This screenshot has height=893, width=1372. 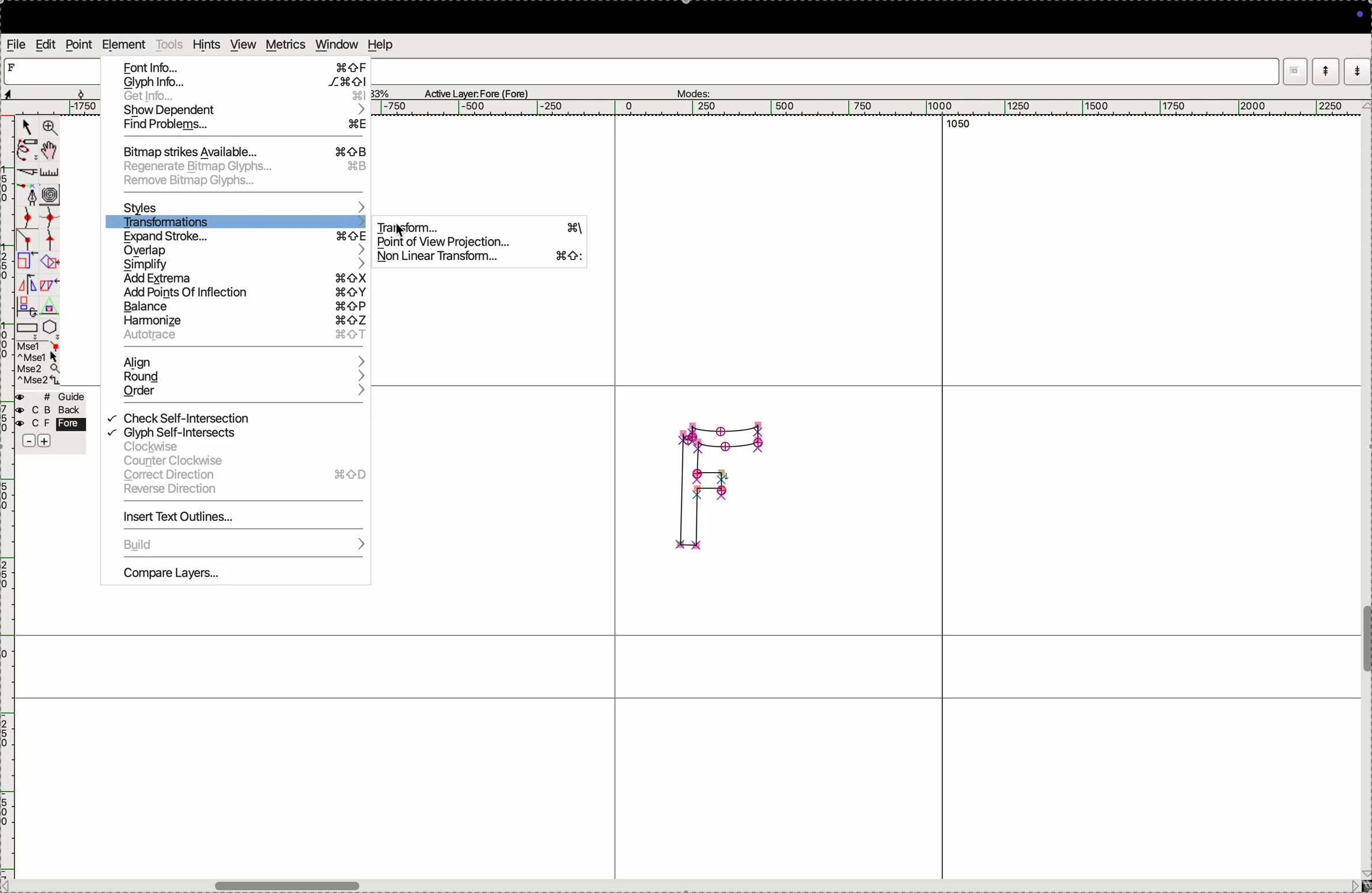 What do you see at coordinates (37, 286) in the screenshot?
I see `mirror` at bounding box center [37, 286].